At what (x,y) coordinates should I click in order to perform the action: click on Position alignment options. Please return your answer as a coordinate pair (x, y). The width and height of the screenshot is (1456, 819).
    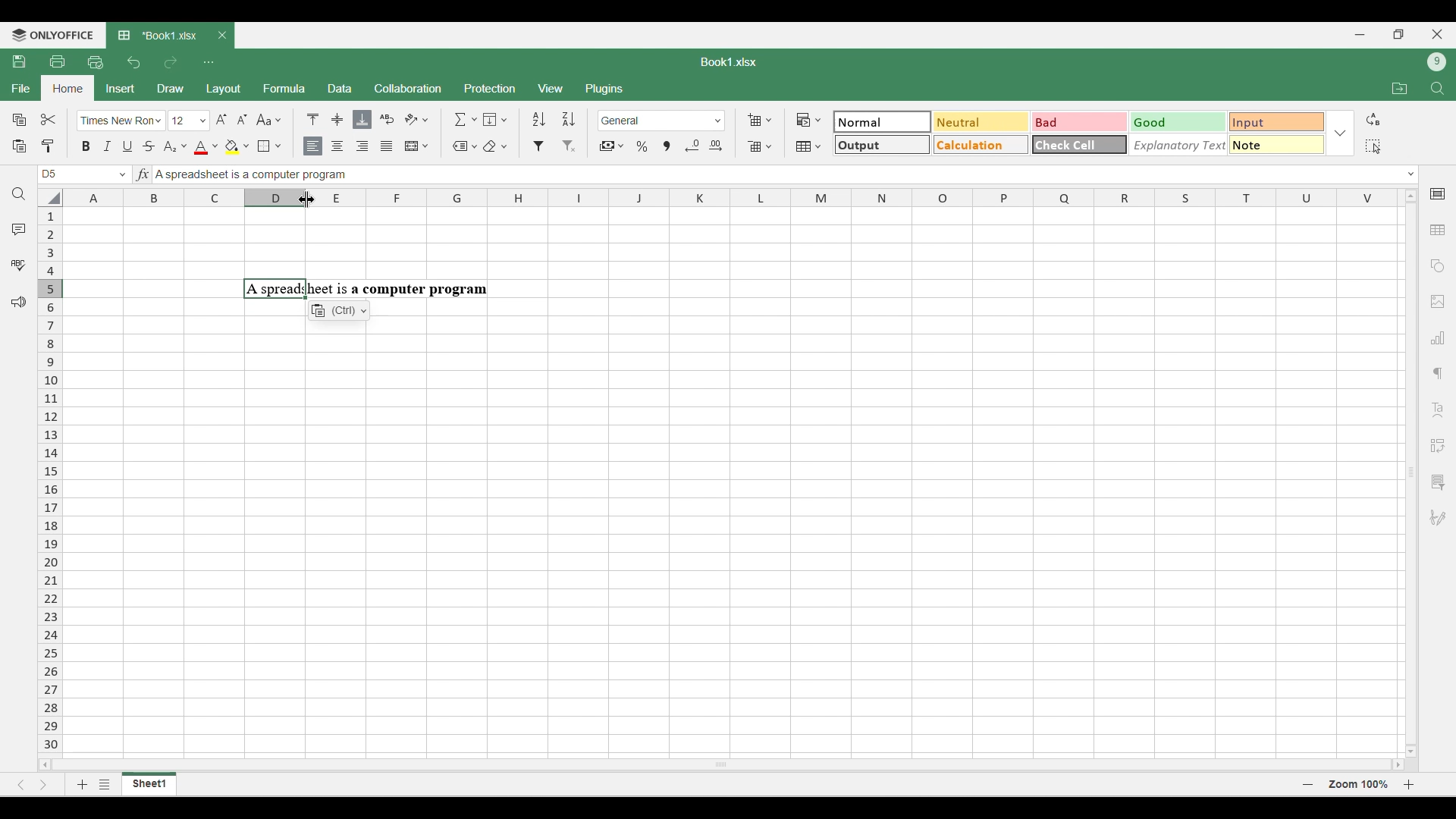
    Looking at the image, I should click on (337, 119).